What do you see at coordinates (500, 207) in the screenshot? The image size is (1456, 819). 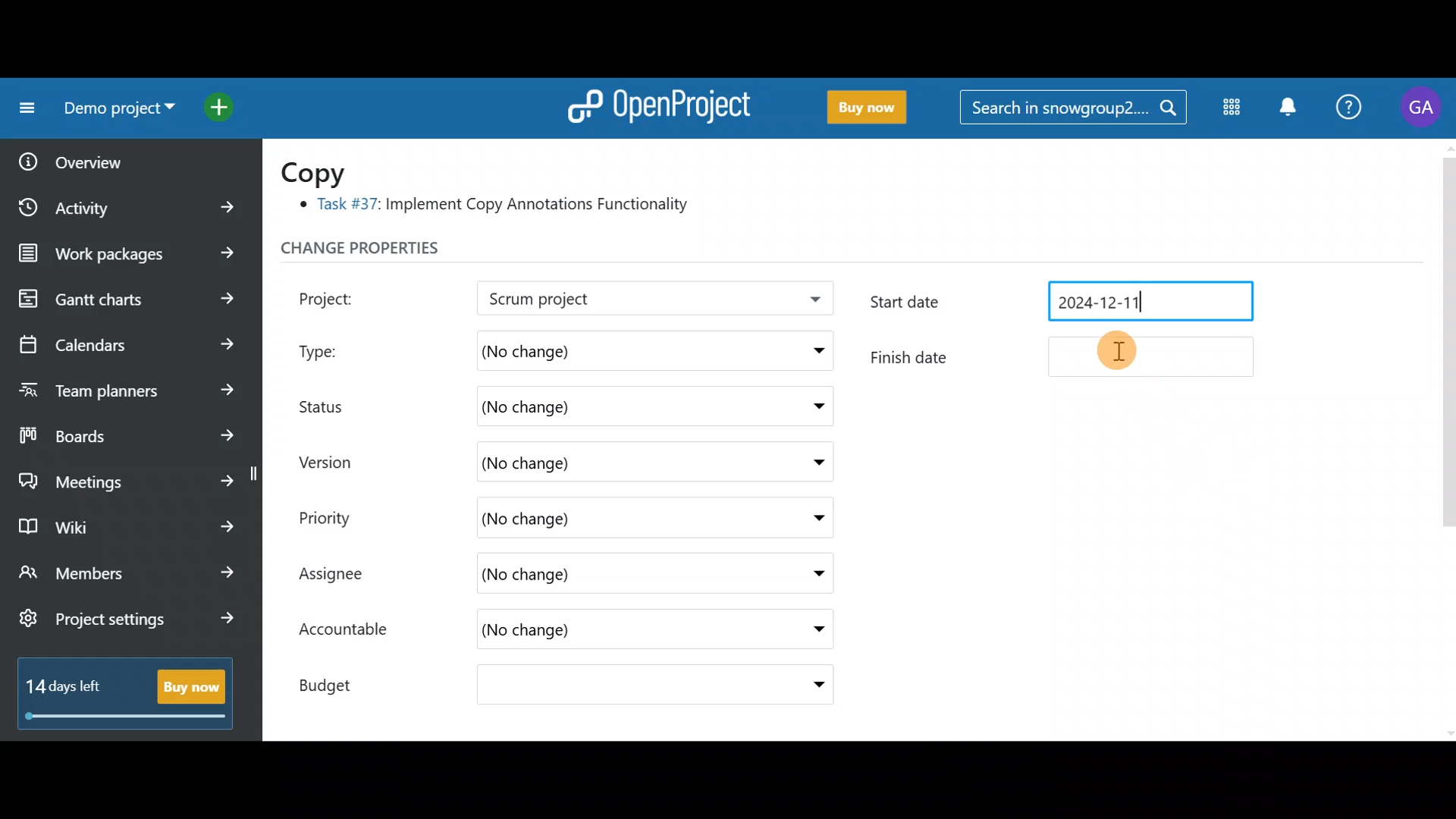 I see `® Task #37: Implement Copy Annotations Functionality` at bounding box center [500, 207].